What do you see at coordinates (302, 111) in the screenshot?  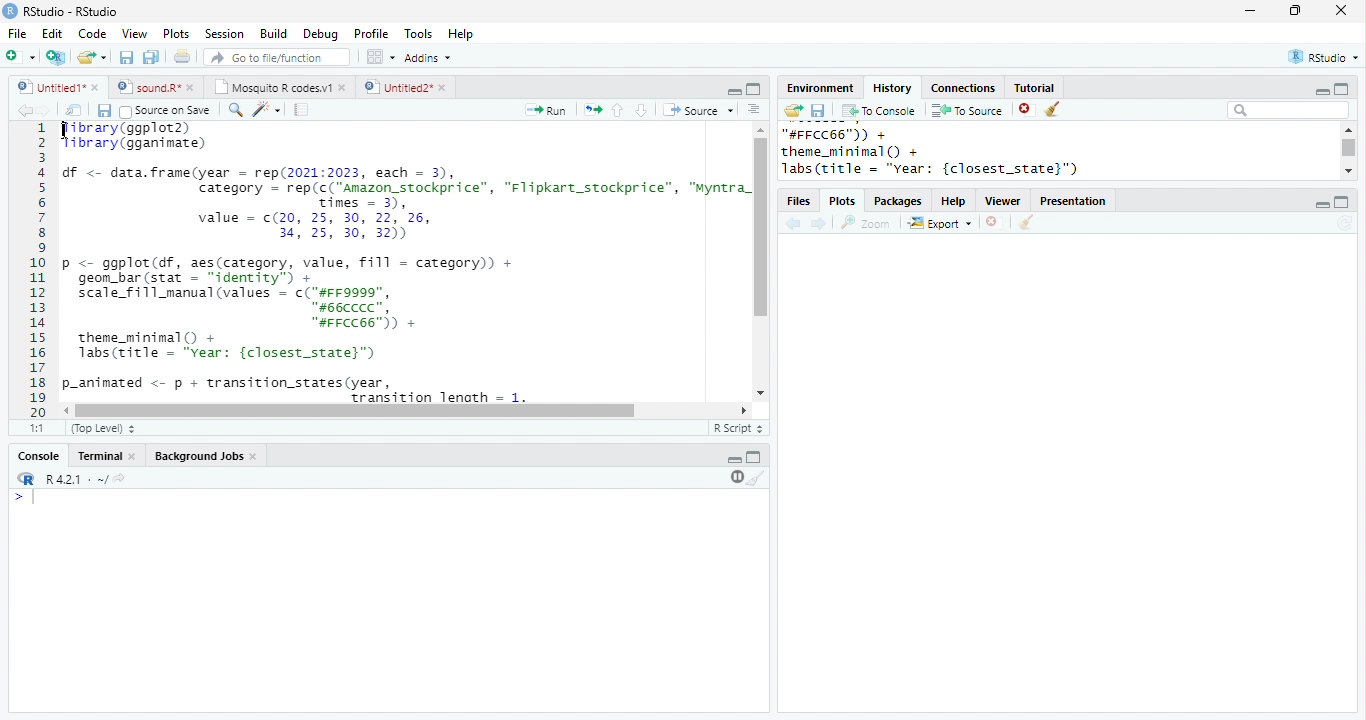 I see `compile report` at bounding box center [302, 111].